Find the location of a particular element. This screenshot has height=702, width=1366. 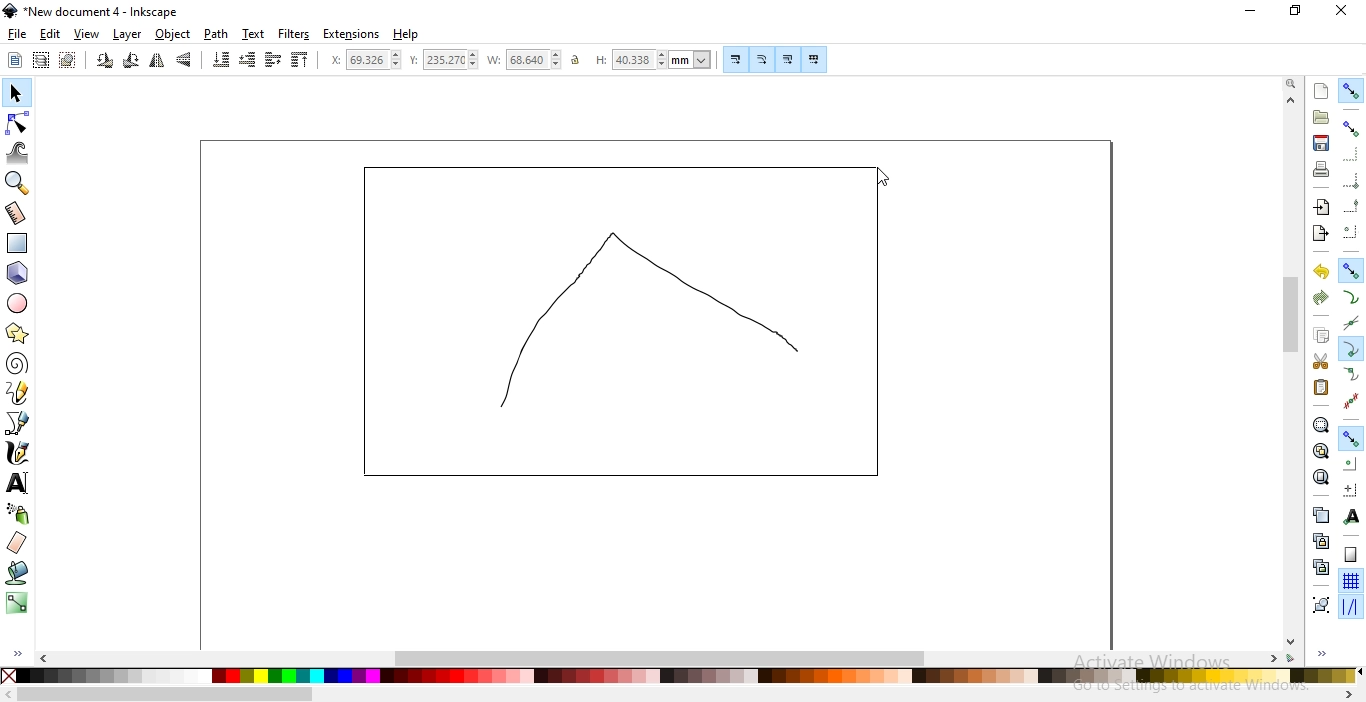

snap midpoints of line segments is located at coordinates (1352, 400).